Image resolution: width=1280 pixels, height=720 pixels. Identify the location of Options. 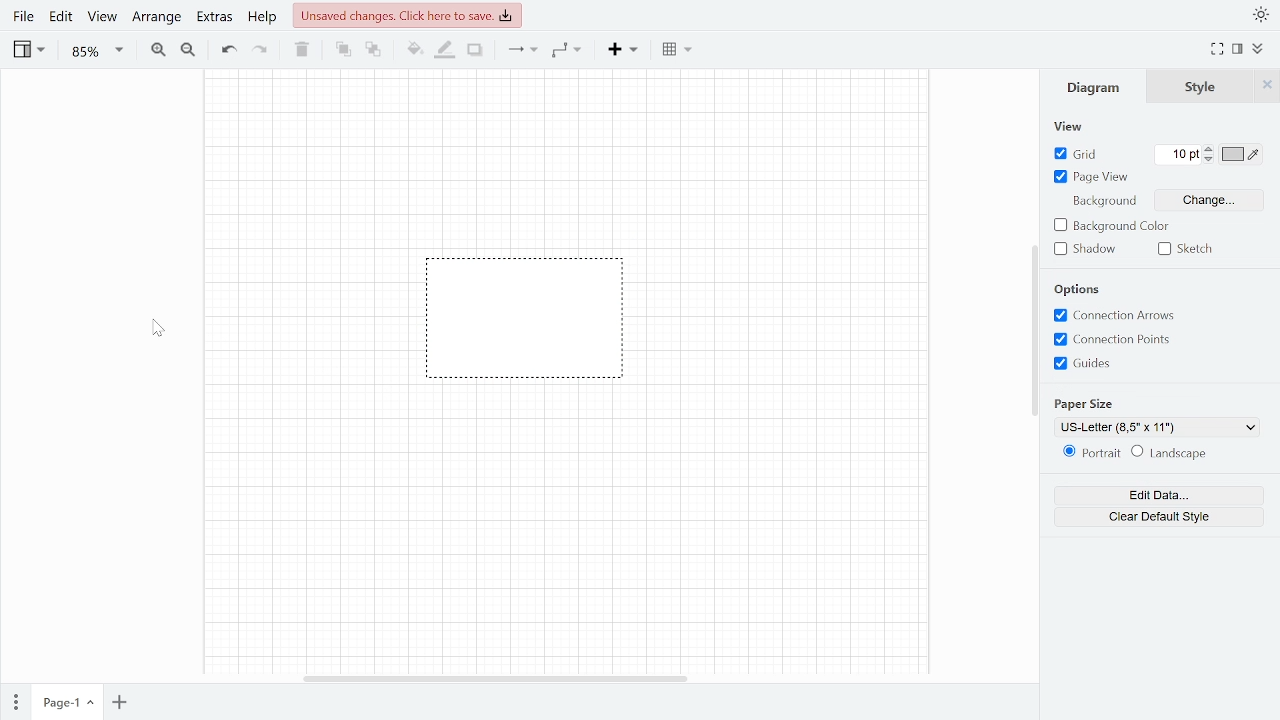
(1079, 289).